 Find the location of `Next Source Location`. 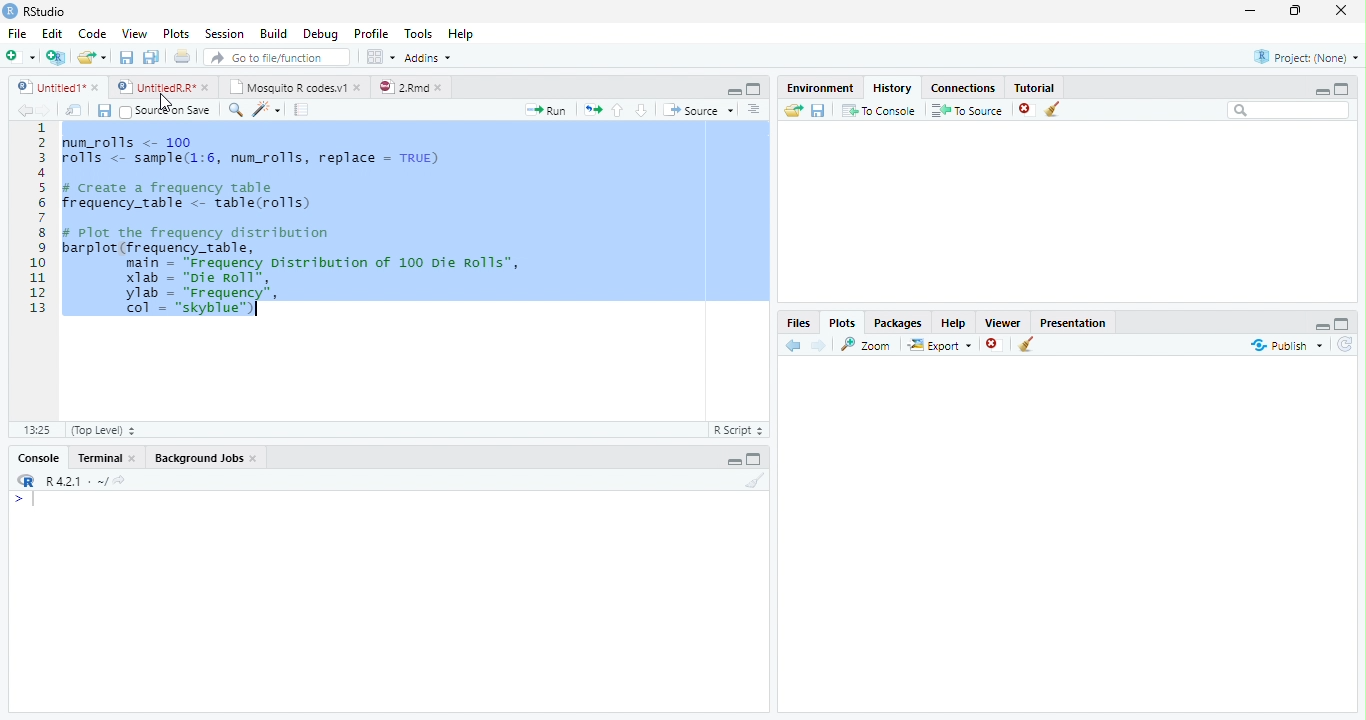

Next Source Location is located at coordinates (45, 109).